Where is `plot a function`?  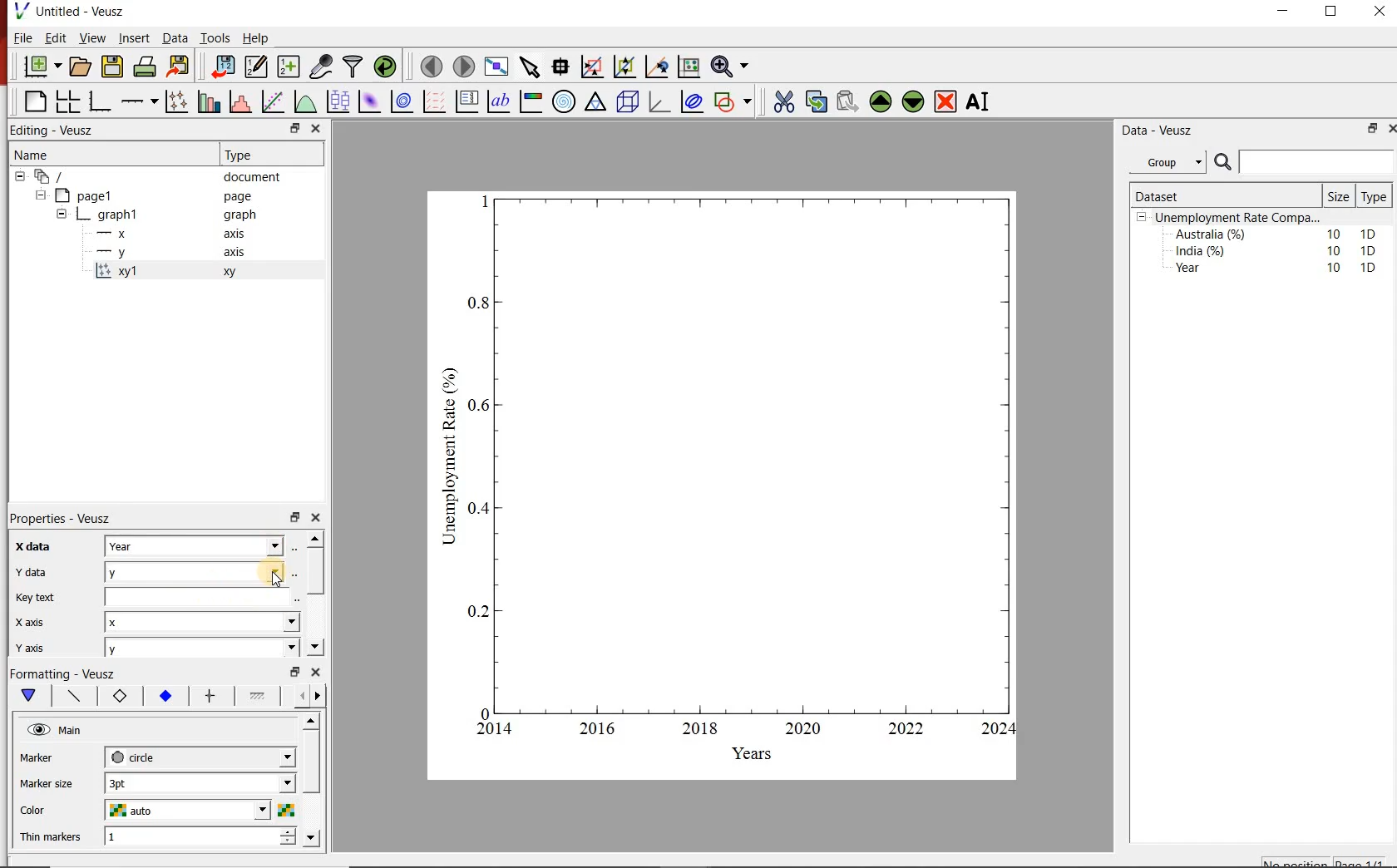
plot a function is located at coordinates (305, 101).